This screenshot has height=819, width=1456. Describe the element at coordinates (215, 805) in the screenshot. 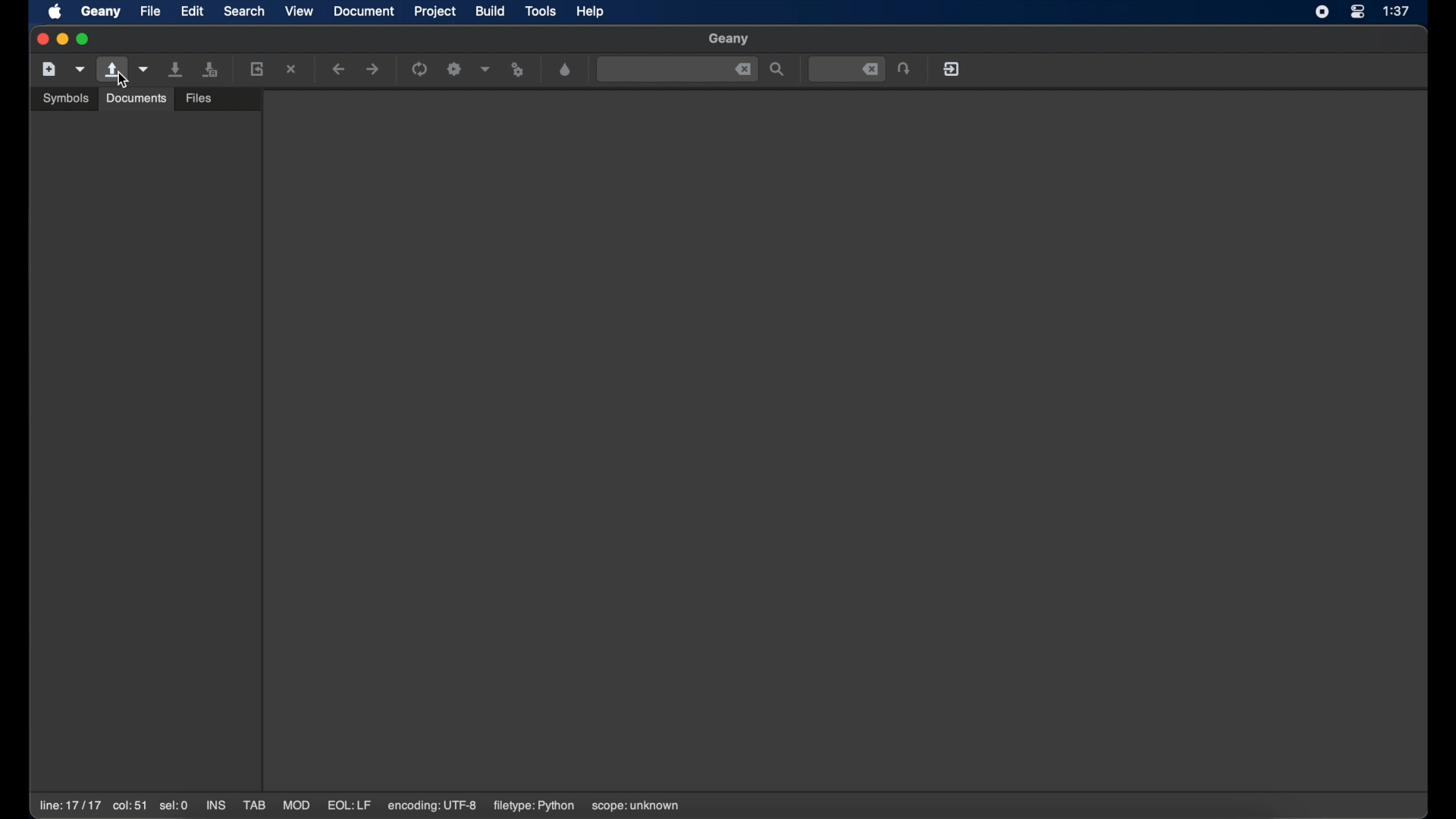

I see `ins` at that location.